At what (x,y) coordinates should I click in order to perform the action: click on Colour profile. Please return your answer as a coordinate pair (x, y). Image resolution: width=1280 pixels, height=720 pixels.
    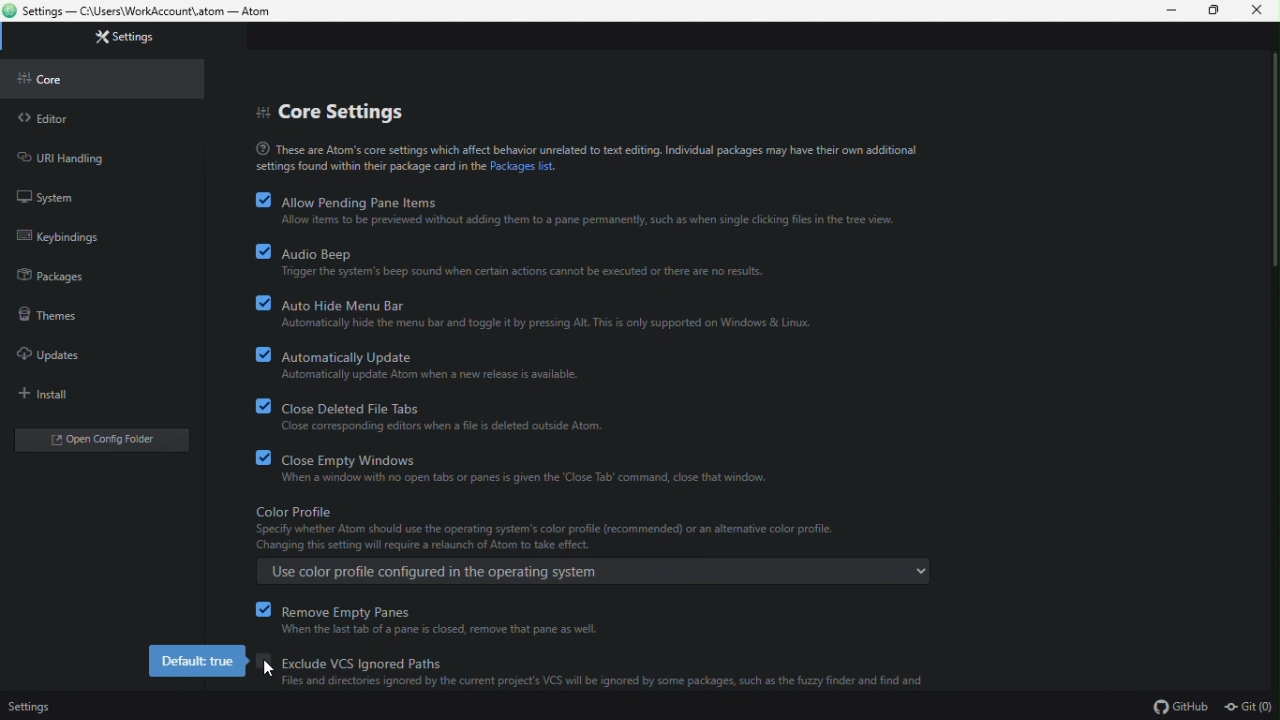
    Looking at the image, I should click on (586, 542).